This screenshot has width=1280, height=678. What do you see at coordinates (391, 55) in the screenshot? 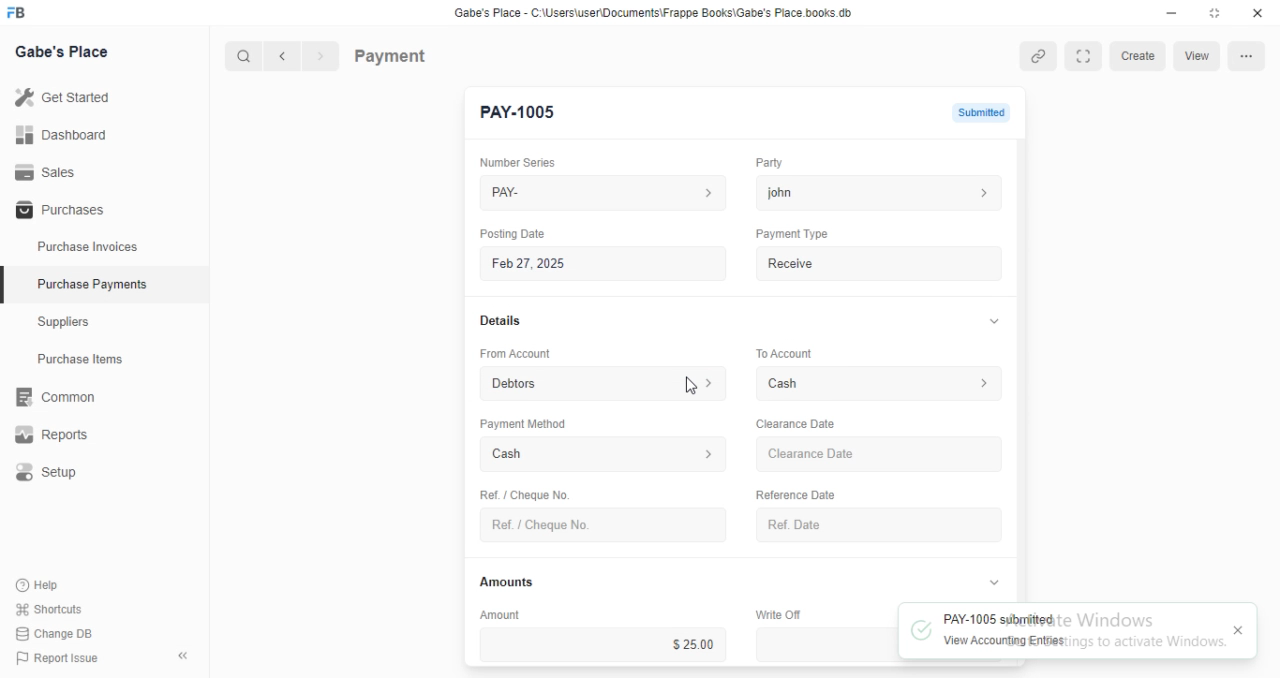
I see `Payment` at bounding box center [391, 55].